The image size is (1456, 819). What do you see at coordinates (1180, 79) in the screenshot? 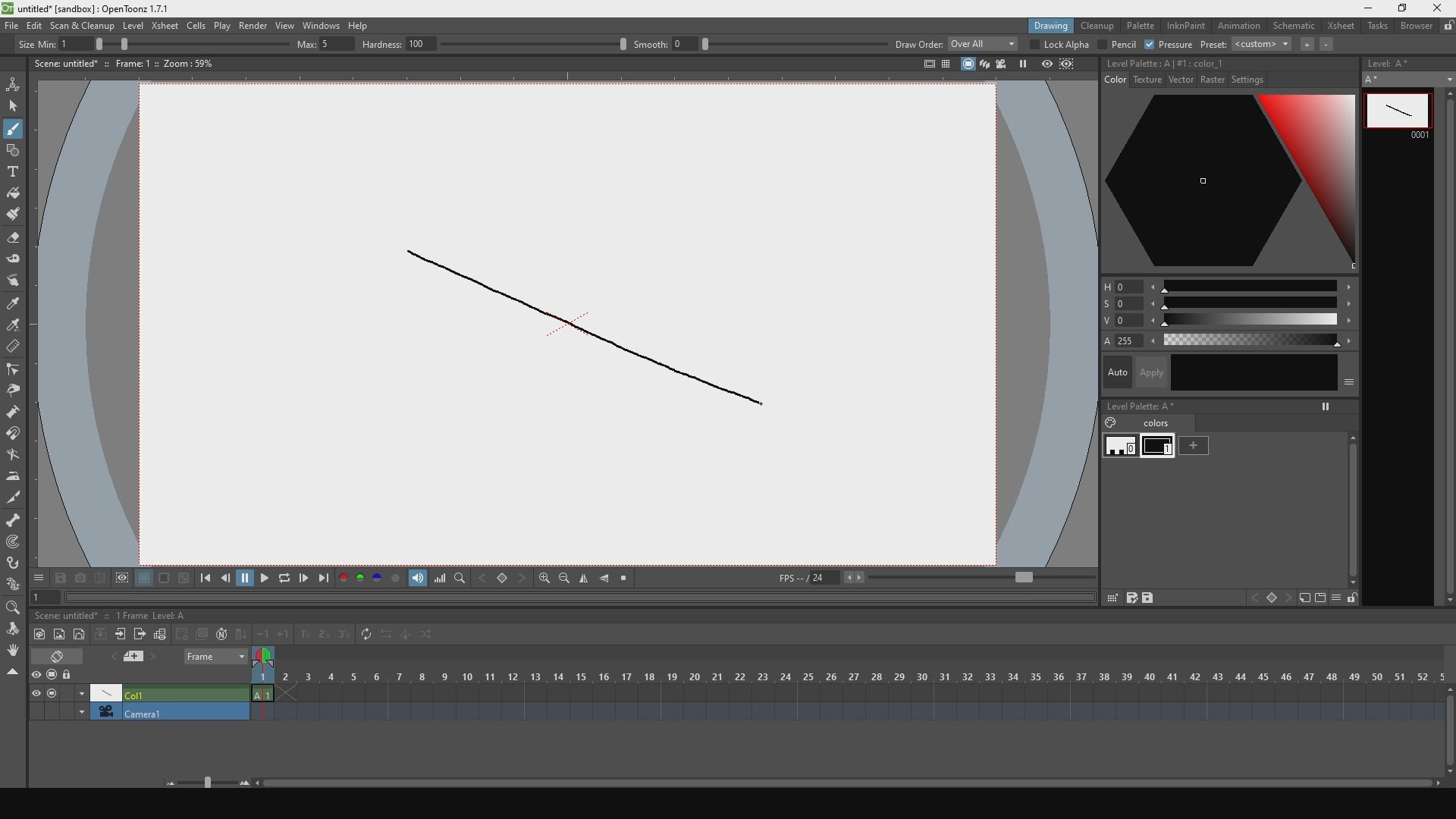
I see `vector` at bounding box center [1180, 79].